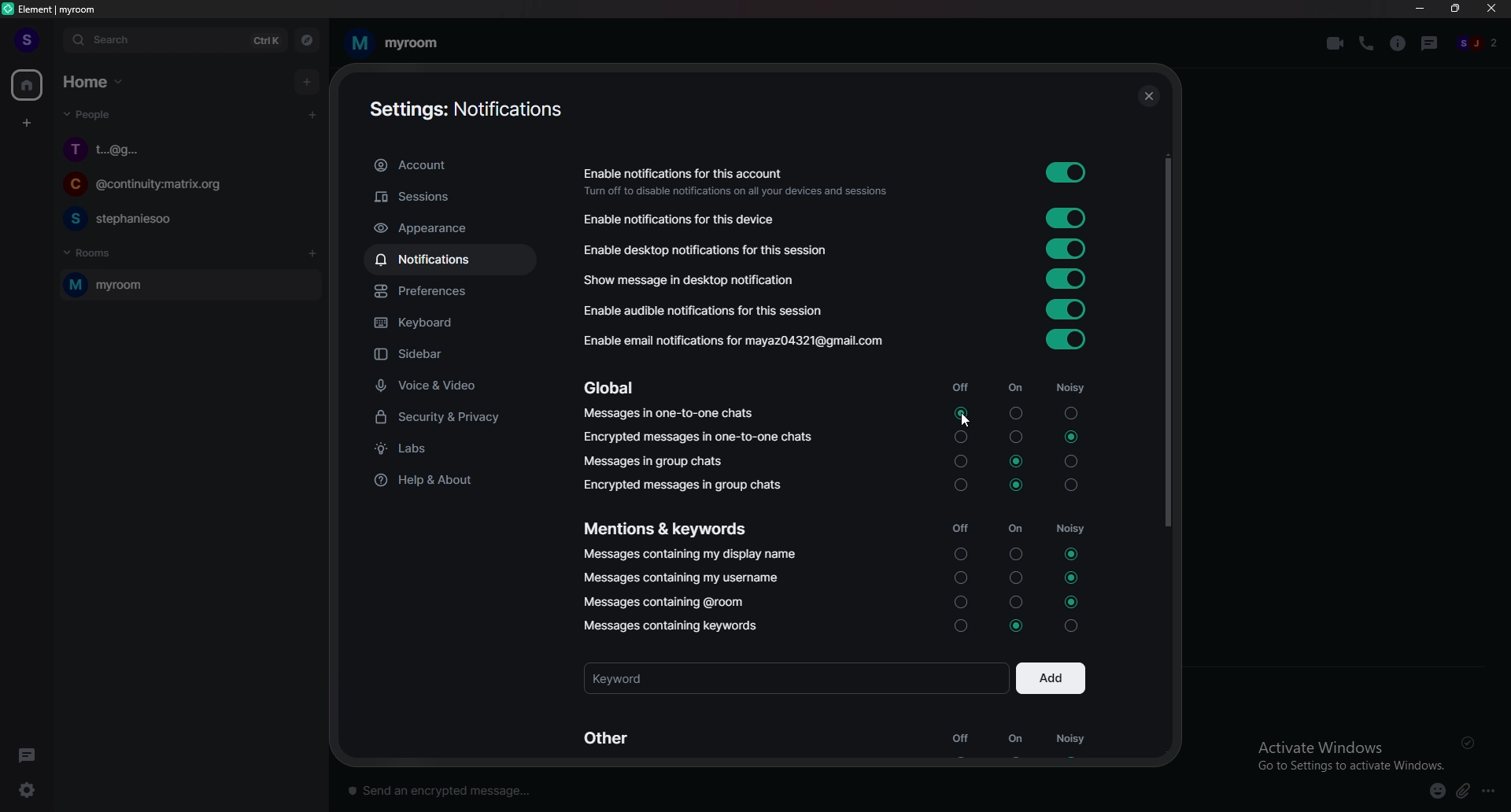  Describe the element at coordinates (1430, 44) in the screenshot. I see `thread` at that location.